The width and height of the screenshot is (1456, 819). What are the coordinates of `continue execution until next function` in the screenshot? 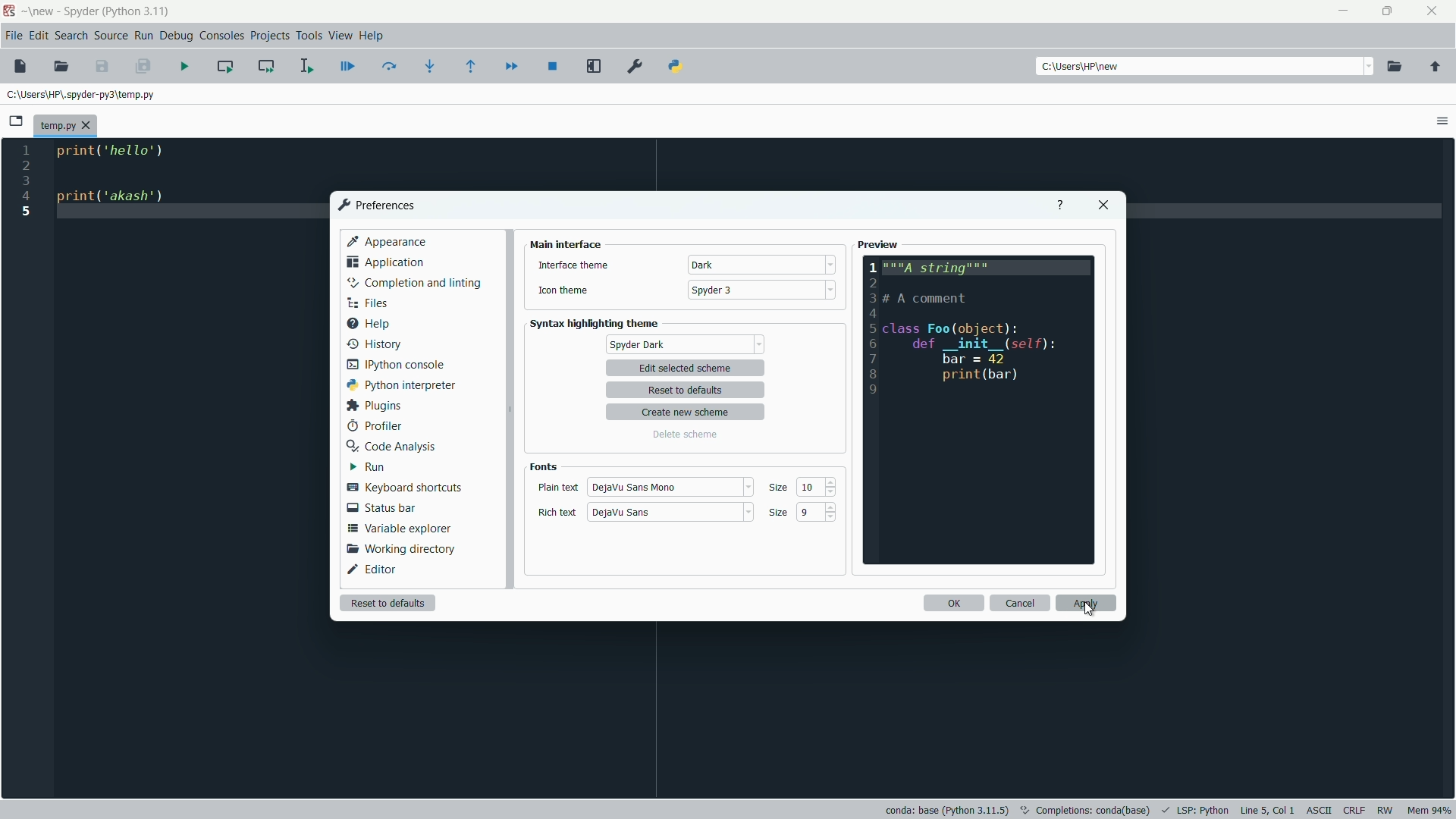 It's located at (474, 66).